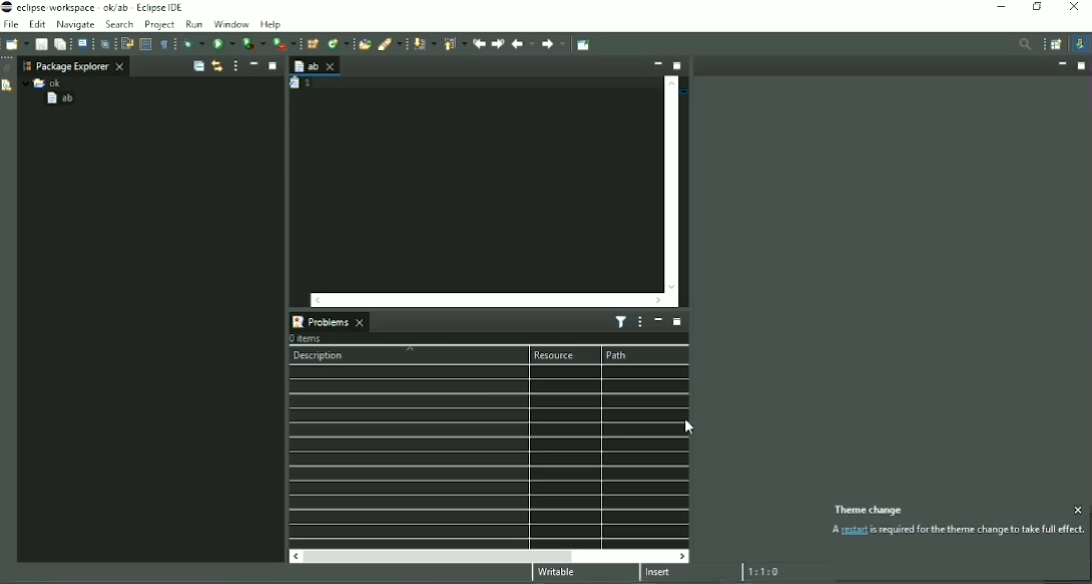 The height and width of the screenshot is (584, 1092). I want to click on Access commands and other items, so click(1026, 43).